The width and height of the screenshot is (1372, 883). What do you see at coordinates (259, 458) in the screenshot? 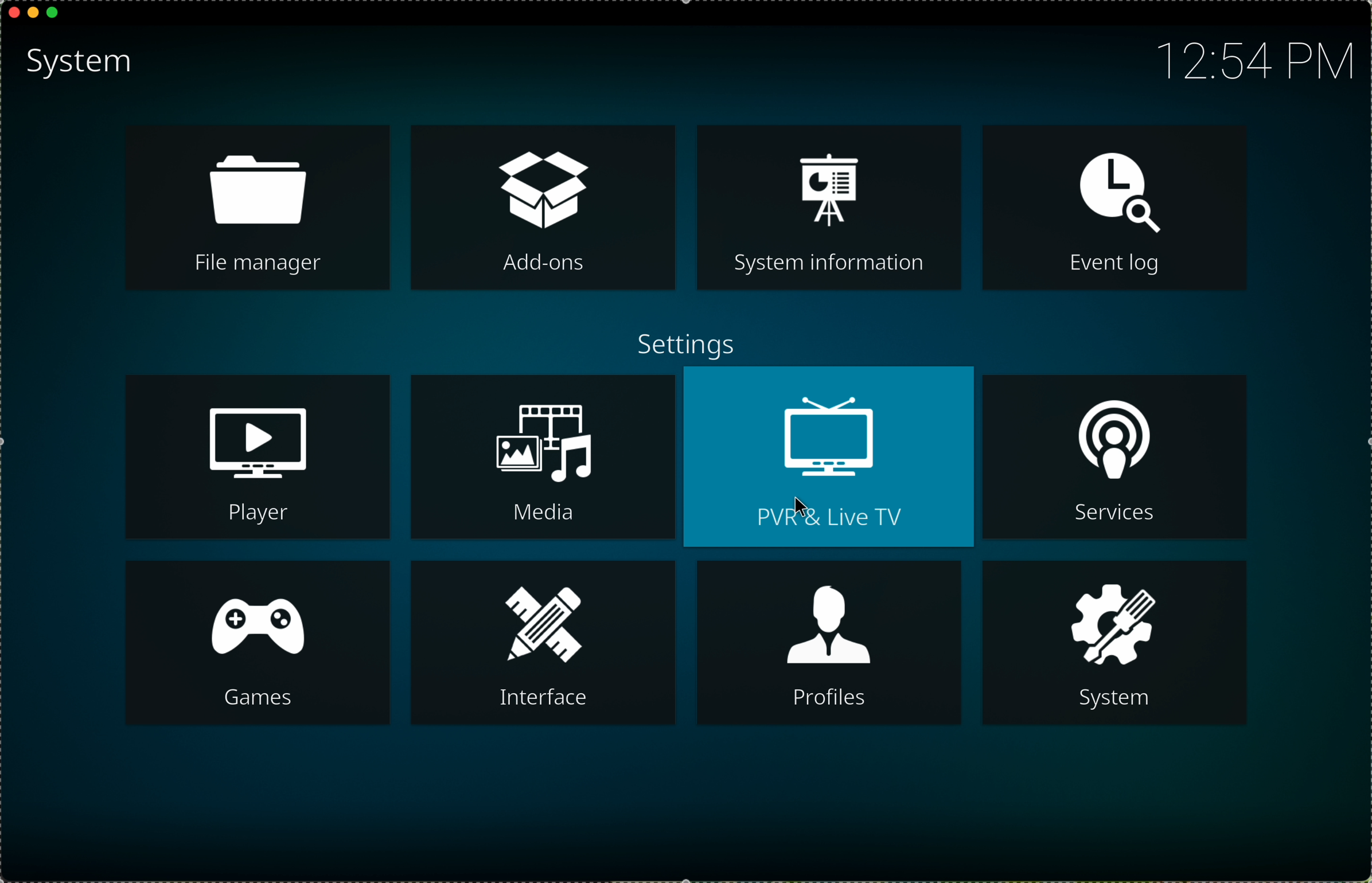
I see `player option` at bounding box center [259, 458].